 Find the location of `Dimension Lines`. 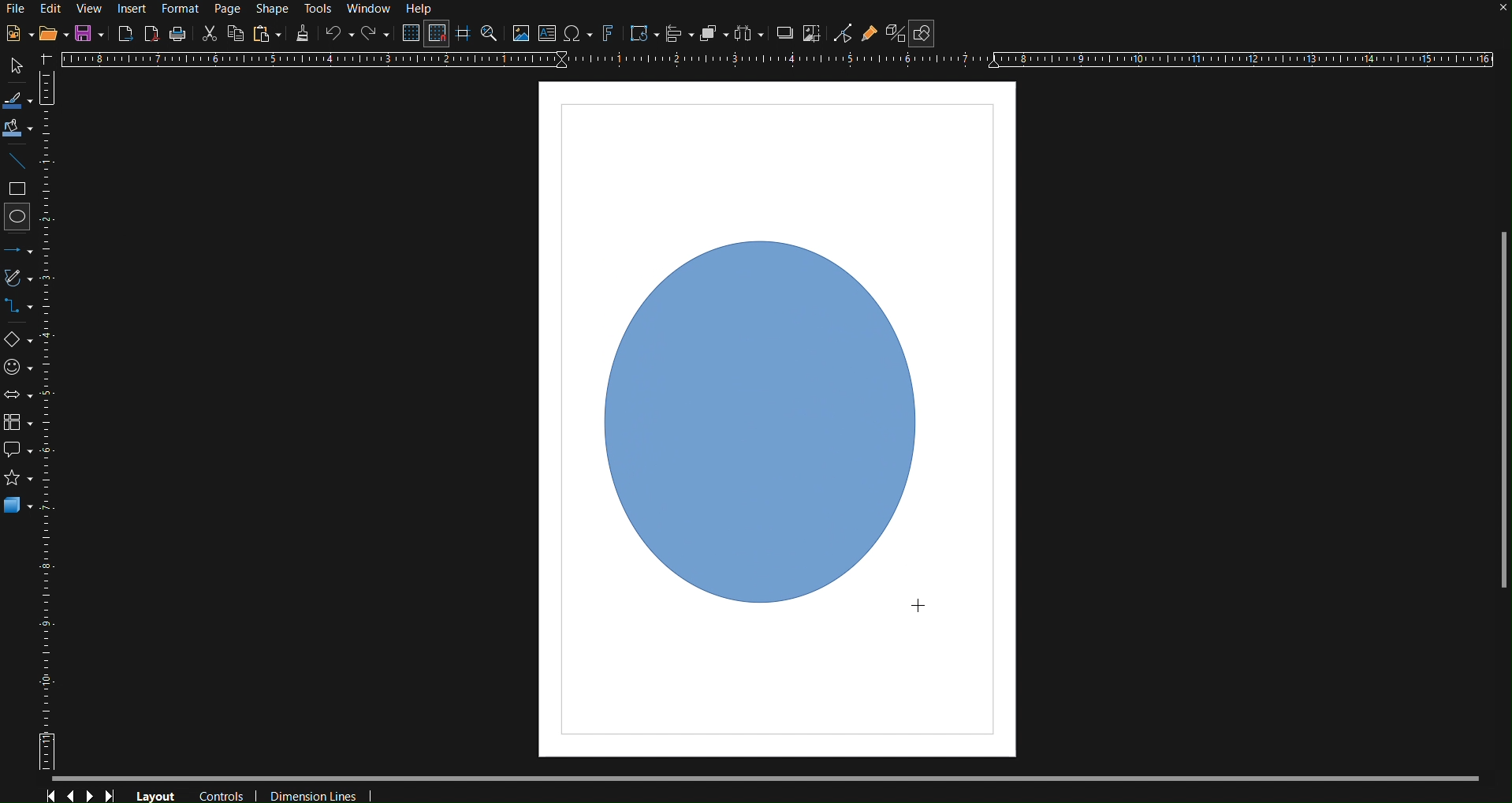

Dimension Lines is located at coordinates (317, 793).